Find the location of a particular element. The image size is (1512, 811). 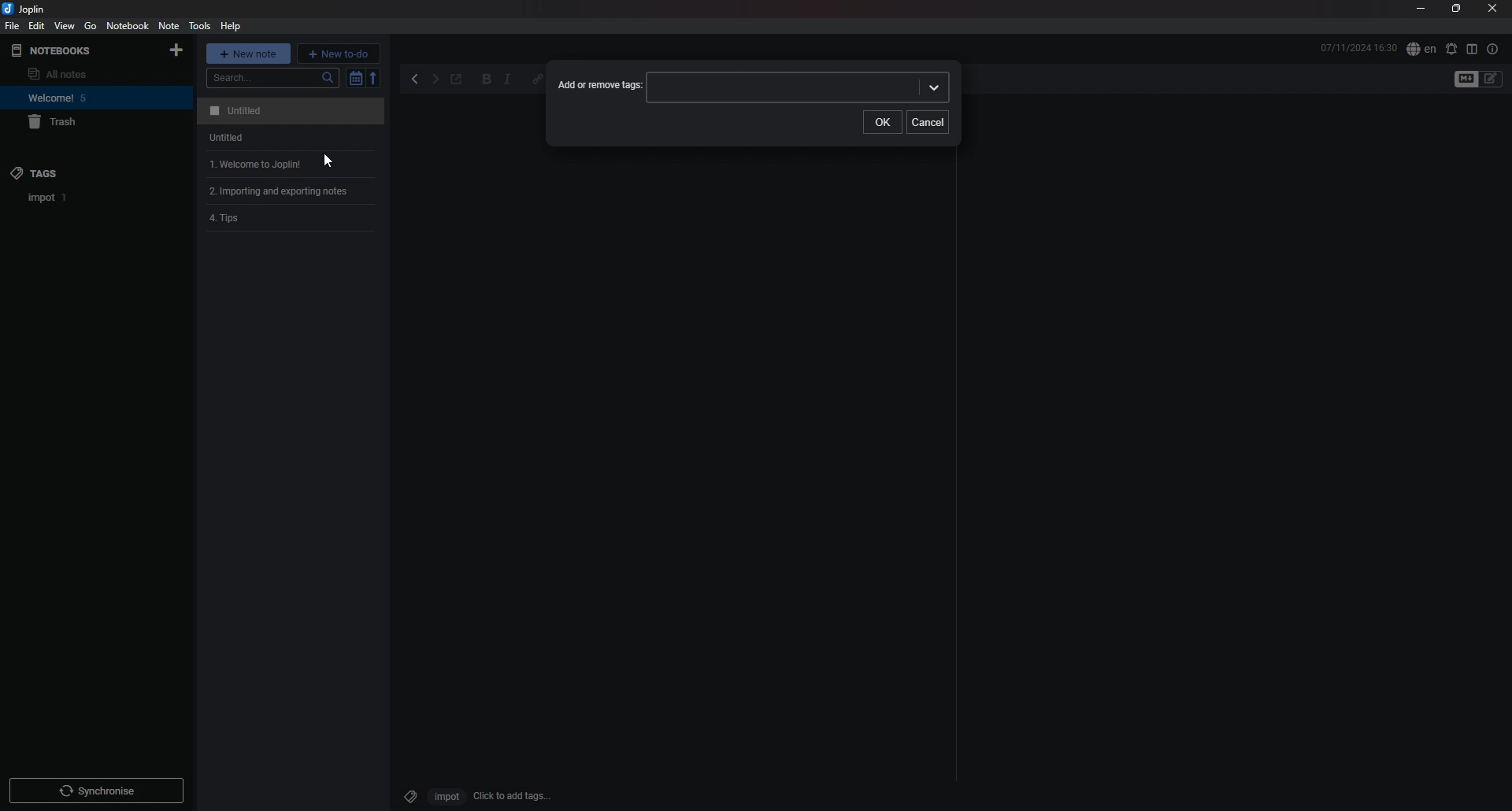

trash is located at coordinates (83, 123).